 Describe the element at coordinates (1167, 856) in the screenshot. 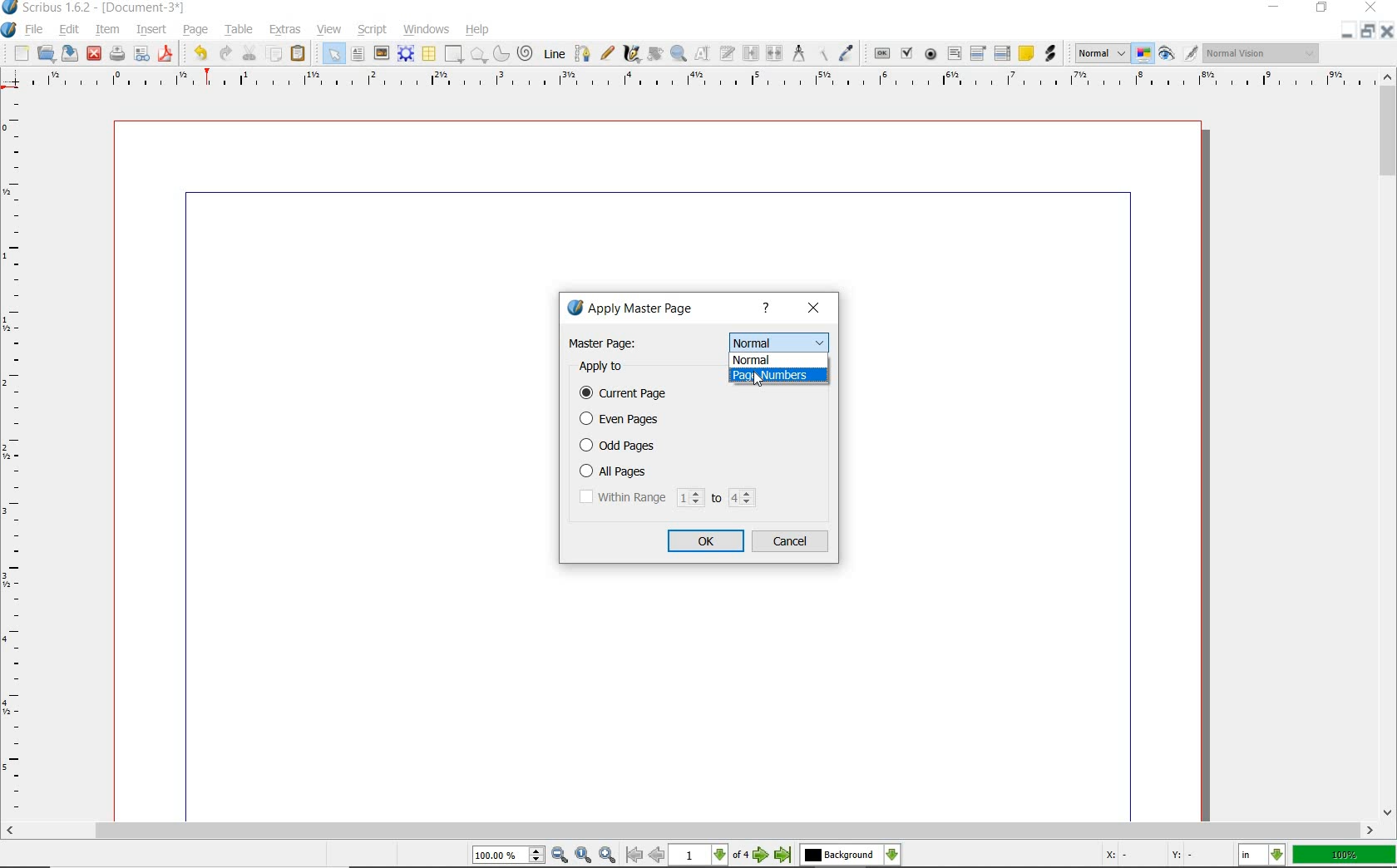

I see `Cursor Coordinates` at that location.